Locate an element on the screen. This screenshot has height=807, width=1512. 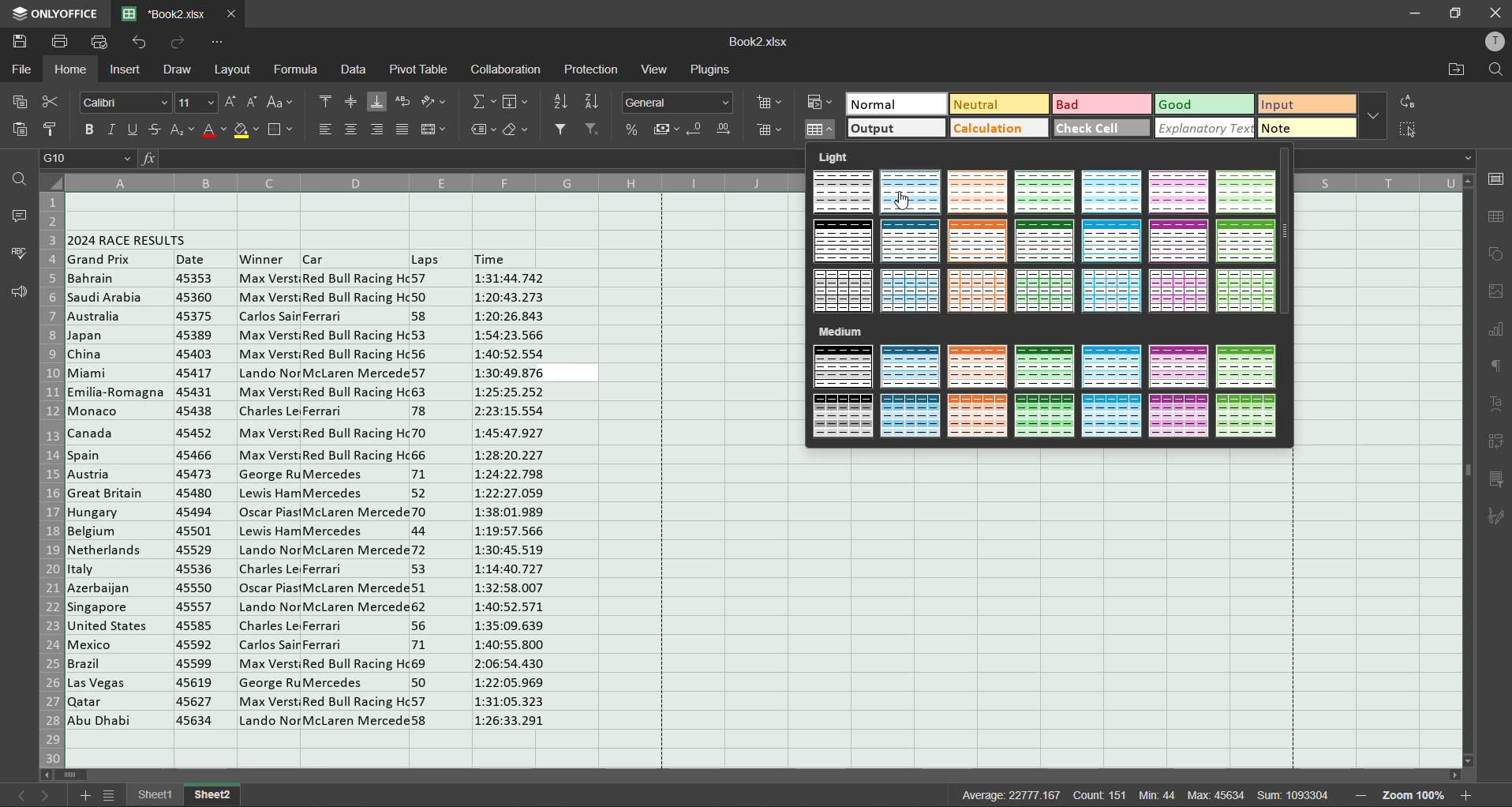
minimize is located at coordinates (1415, 14).